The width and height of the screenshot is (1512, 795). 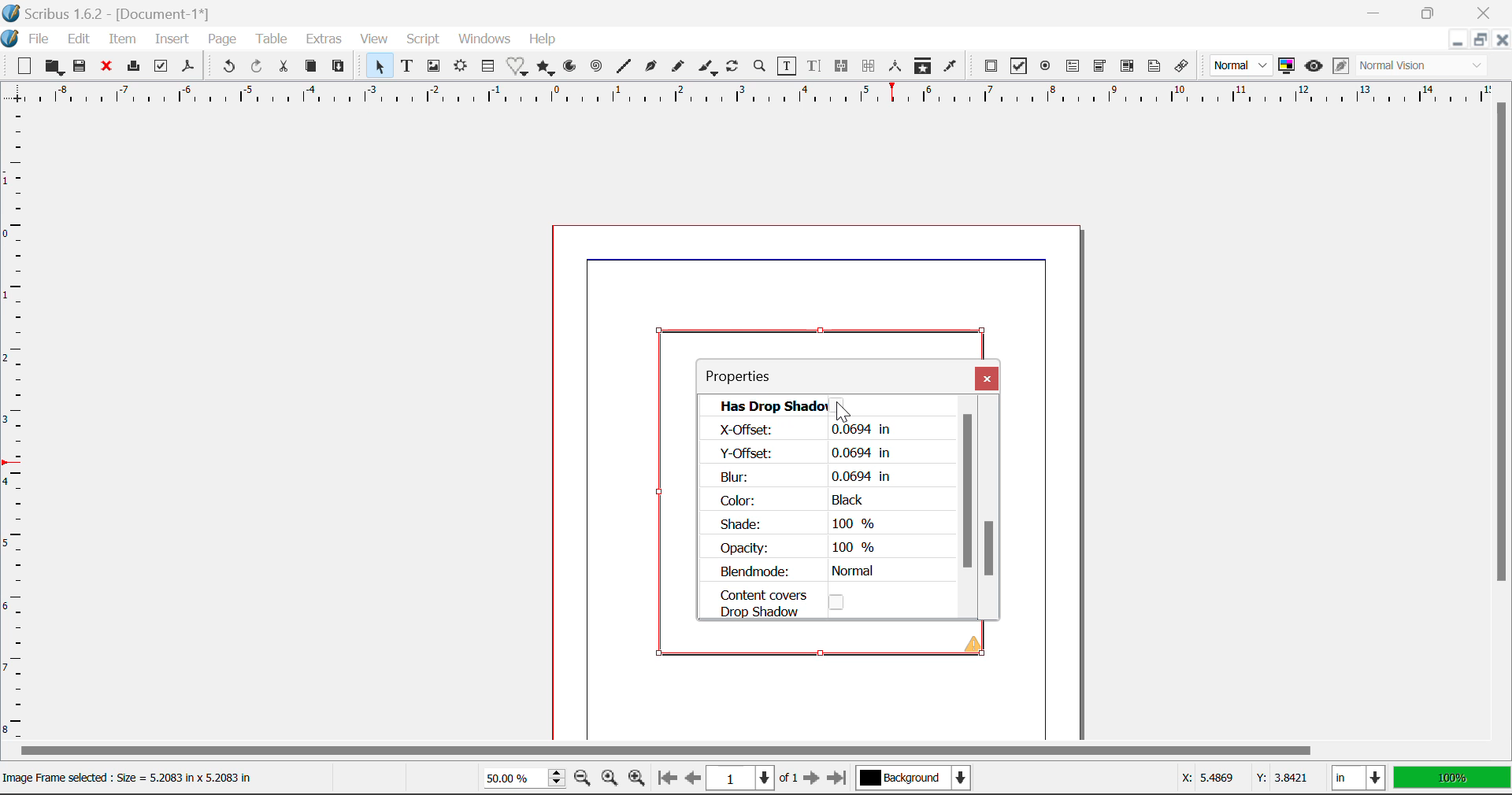 I want to click on Vertical Scroll Bar, so click(x=1503, y=408).